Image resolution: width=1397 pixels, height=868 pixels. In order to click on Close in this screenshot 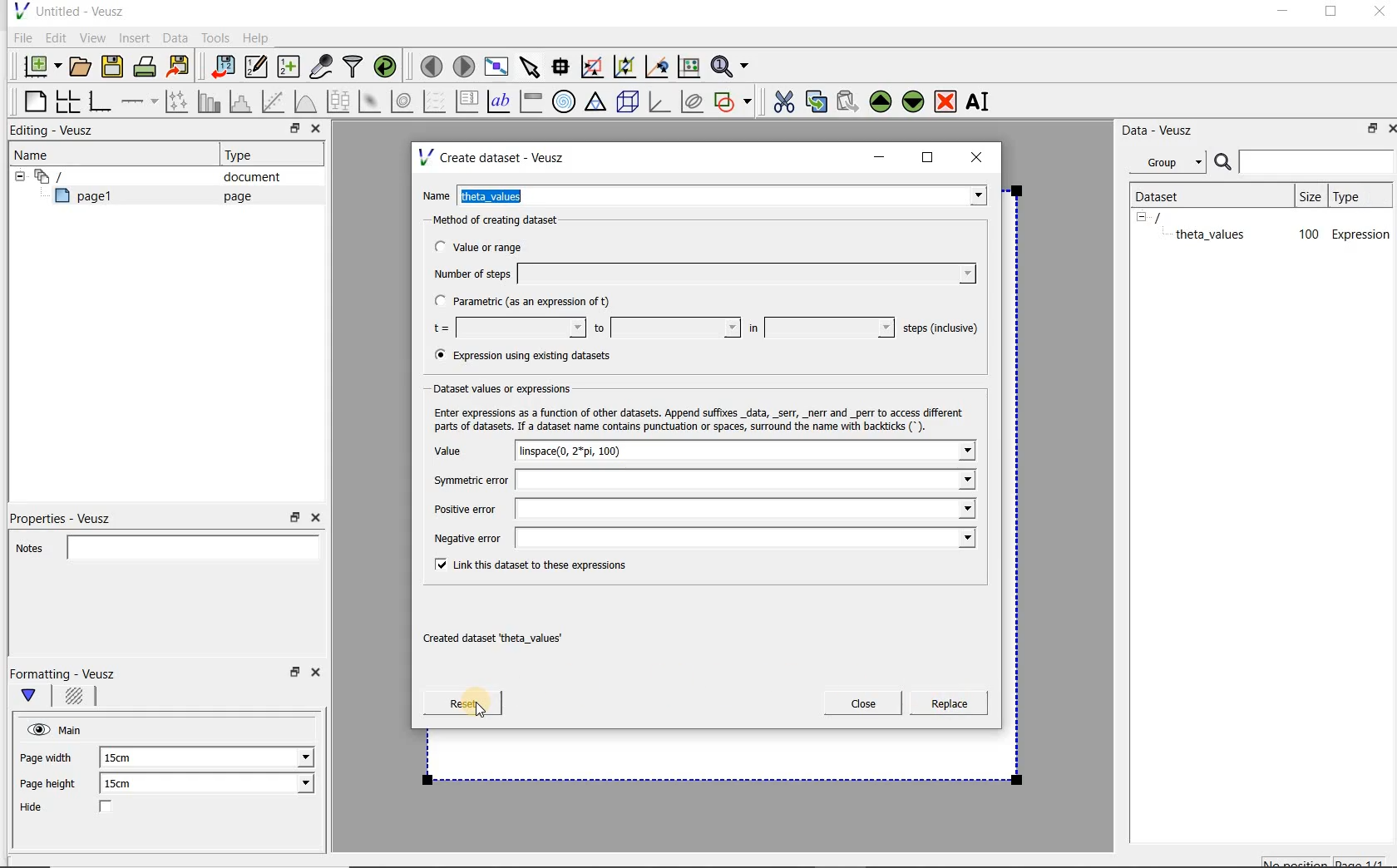, I will do `click(314, 131)`.